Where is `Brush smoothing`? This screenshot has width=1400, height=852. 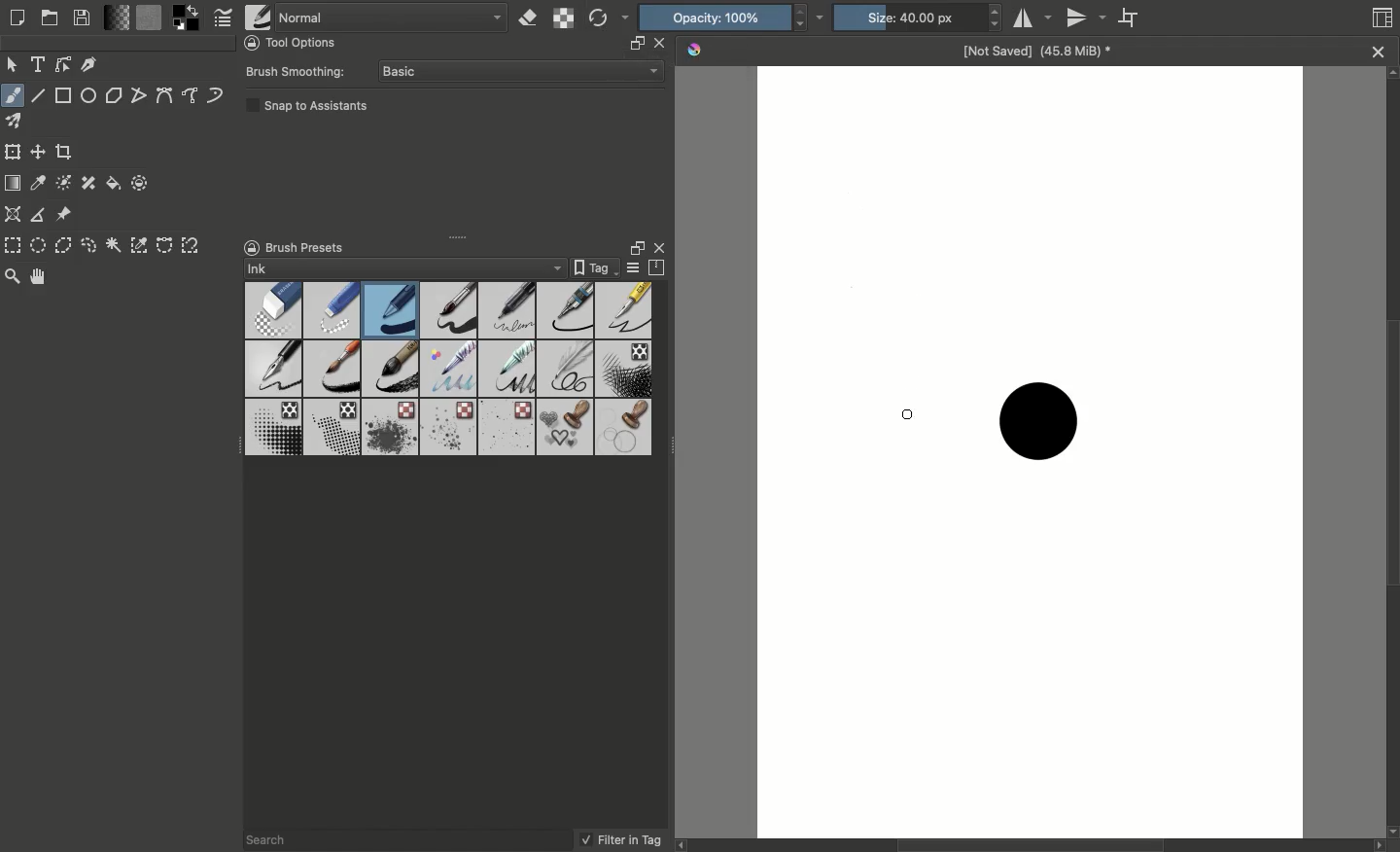 Brush smoothing is located at coordinates (300, 72).